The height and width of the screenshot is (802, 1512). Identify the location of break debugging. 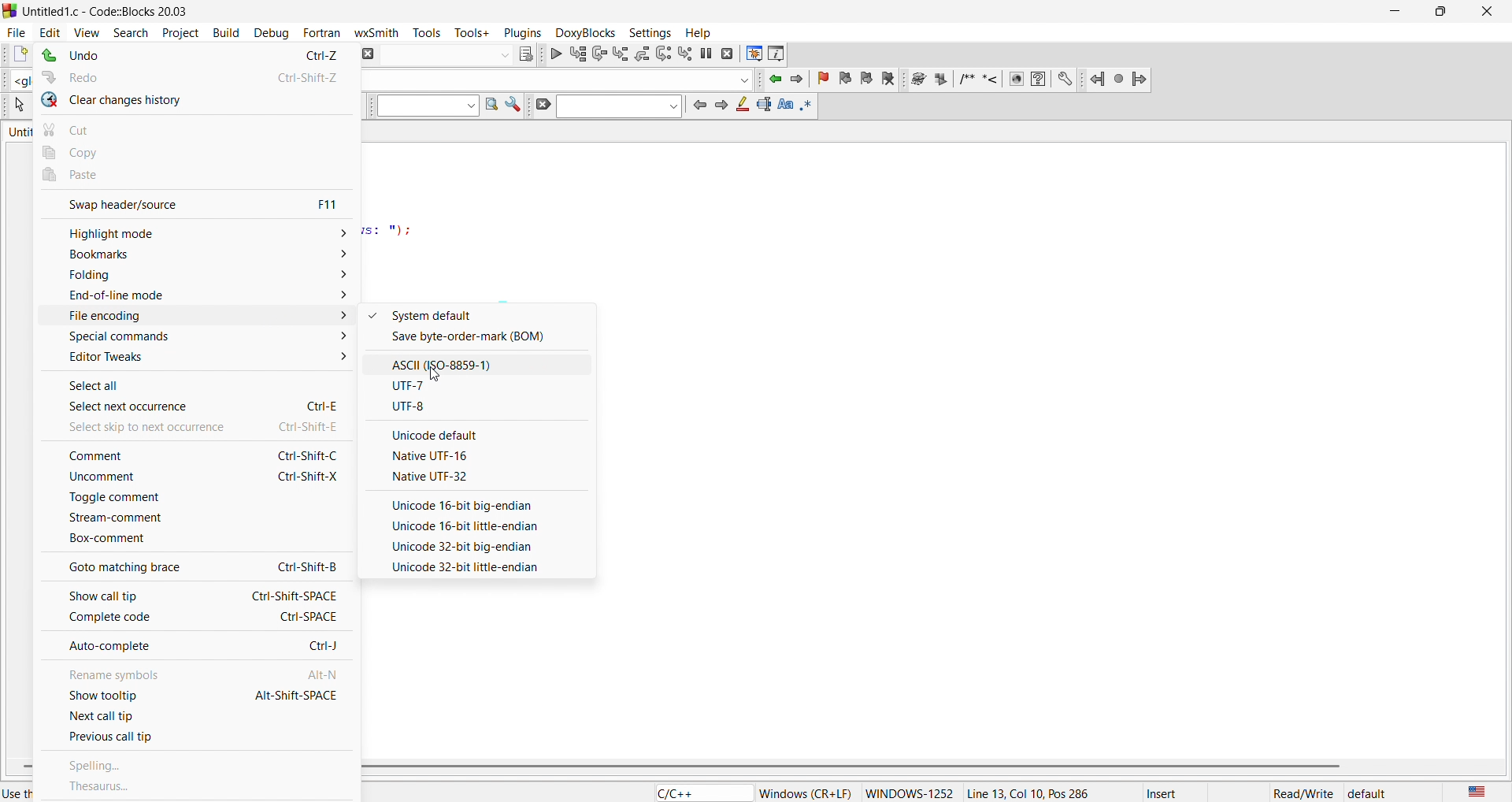
(706, 52).